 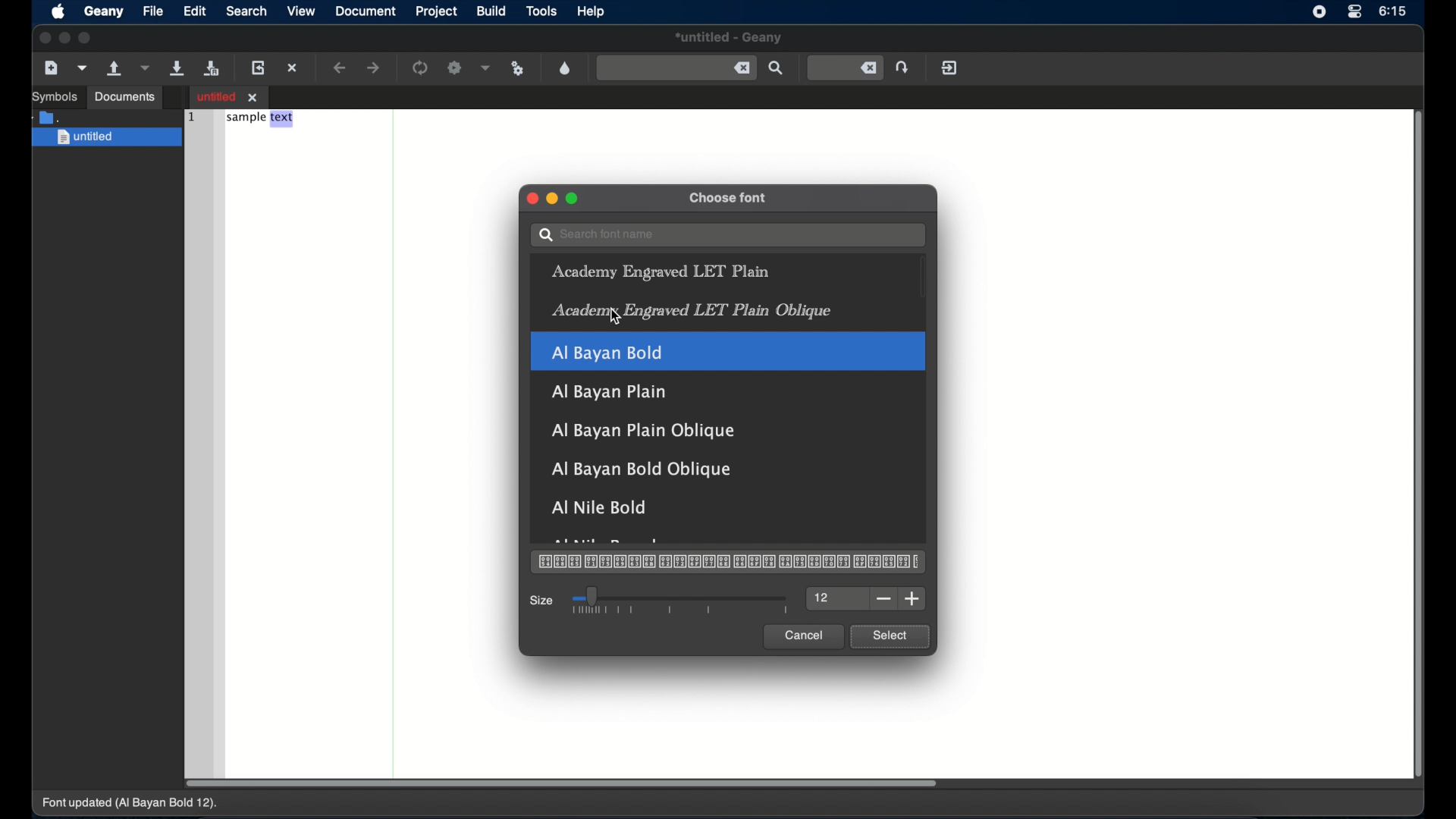 What do you see at coordinates (43, 38) in the screenshot?
I see `close` at bounding box center [43, 38].